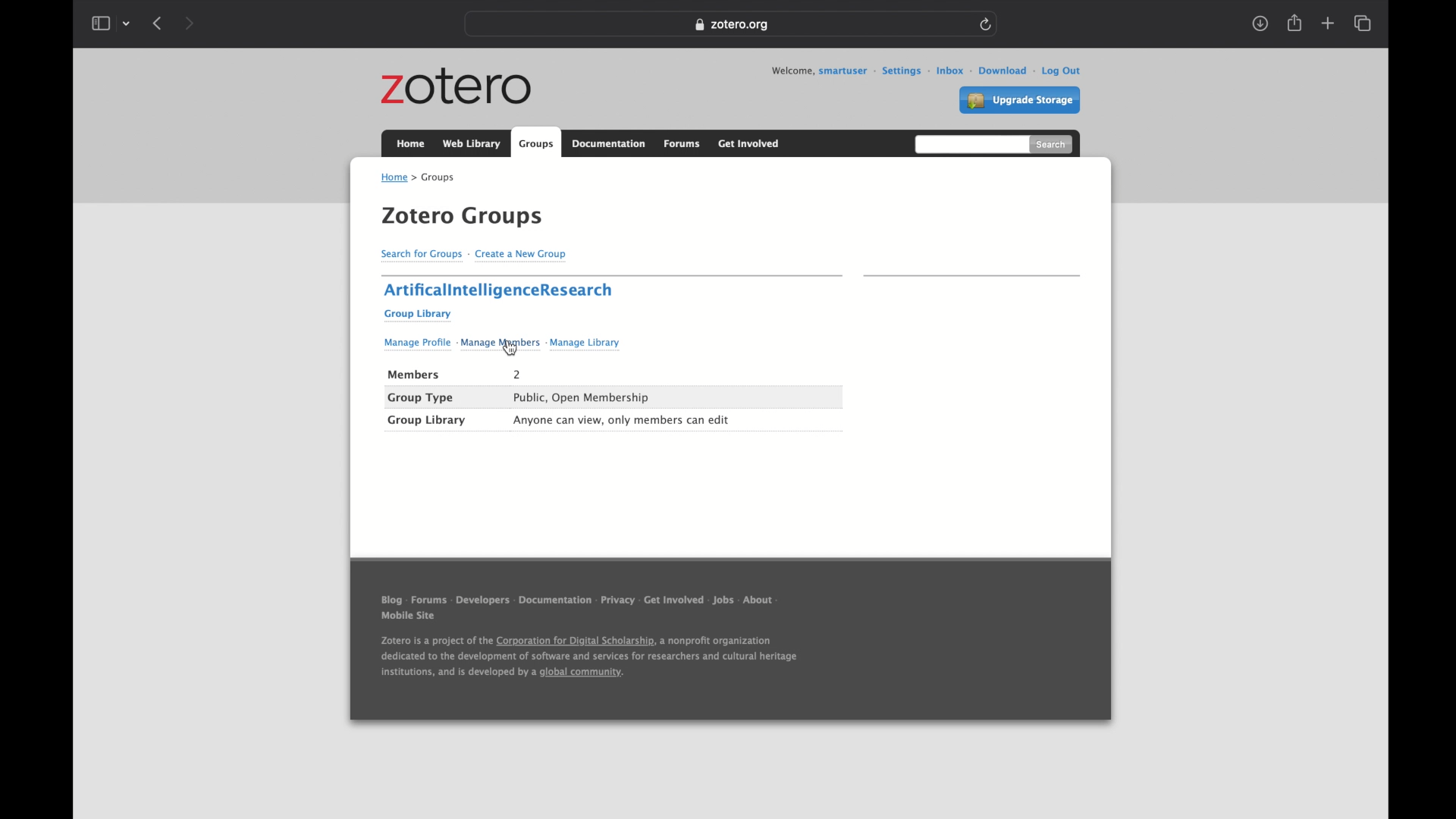 The width and height of the screenshot is (1456, 819). I want to click on welcome, smartuser, so click(818, 71).